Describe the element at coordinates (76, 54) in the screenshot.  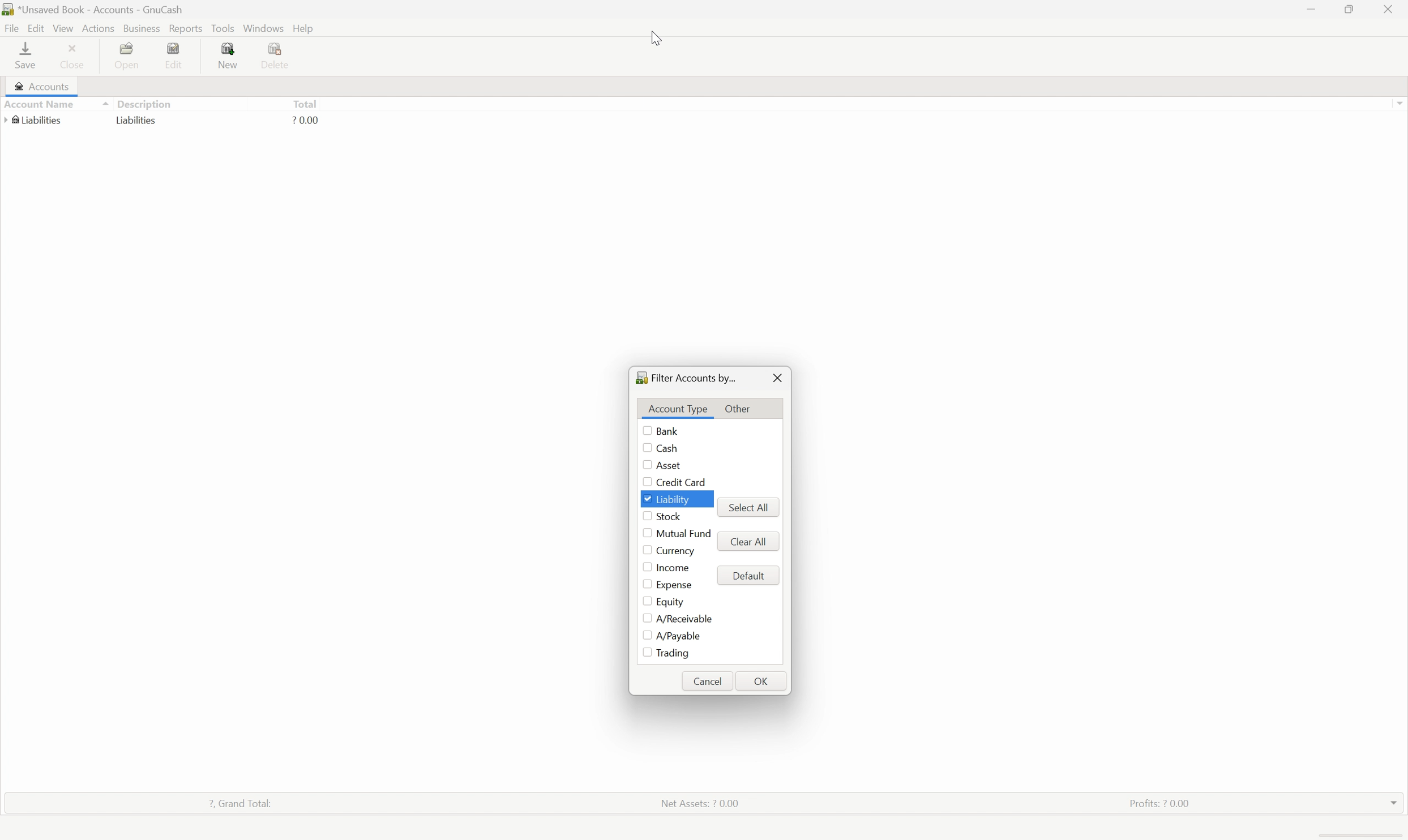
I see `Close` at that location.